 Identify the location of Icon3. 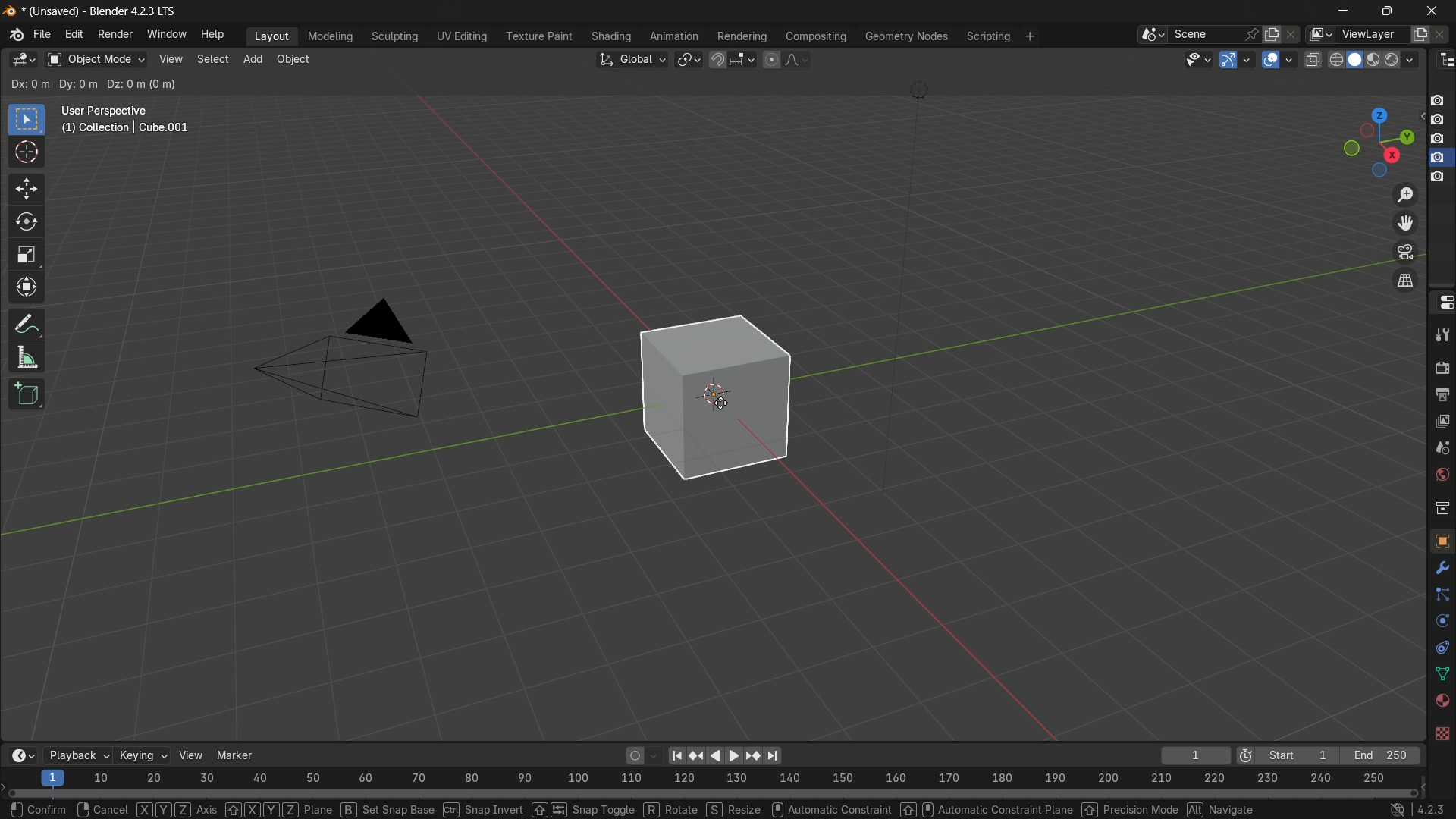
(1441, 140).